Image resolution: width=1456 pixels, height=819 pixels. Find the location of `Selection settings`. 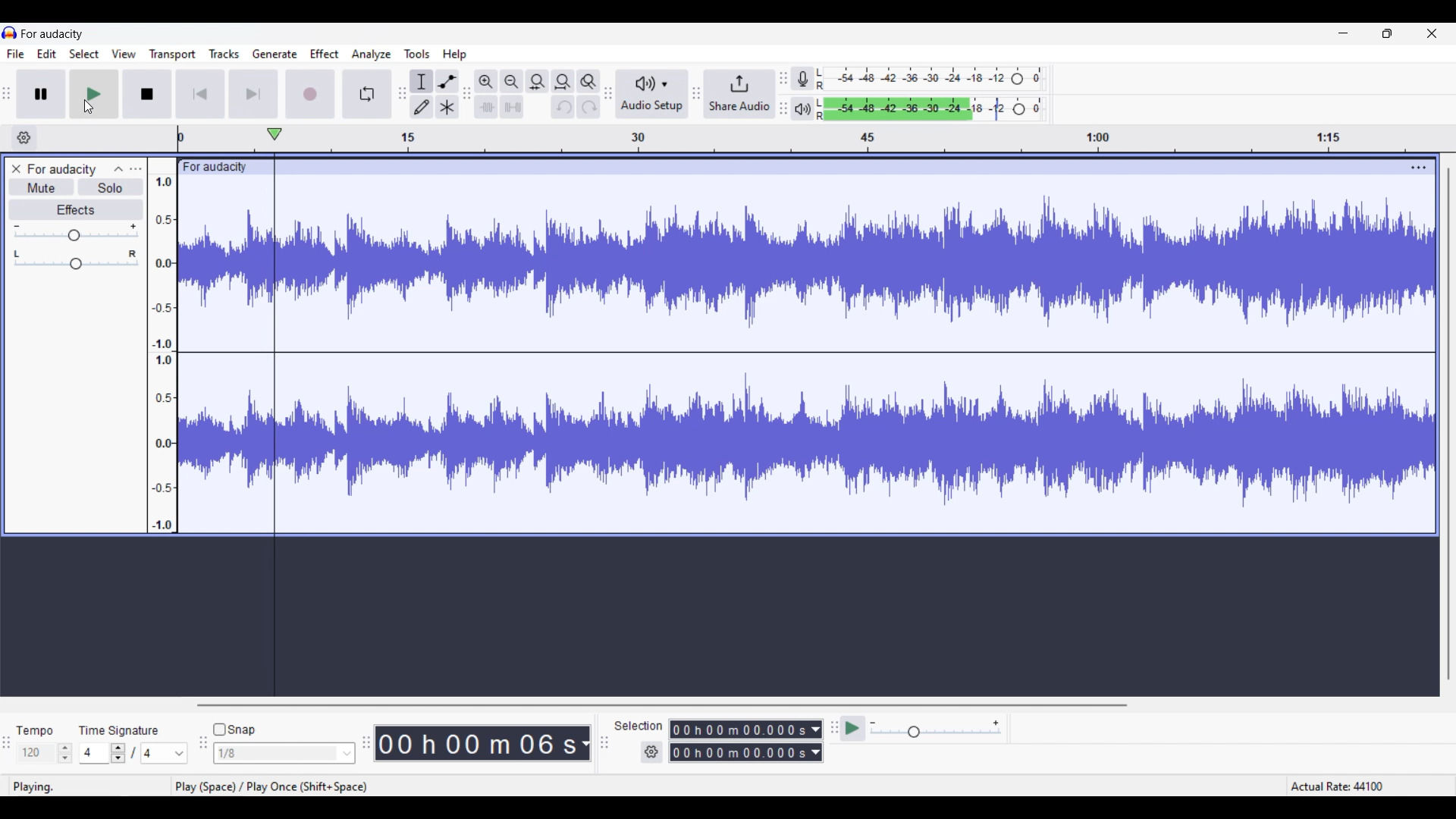

Selection settings is located at coordinates (651, 752).